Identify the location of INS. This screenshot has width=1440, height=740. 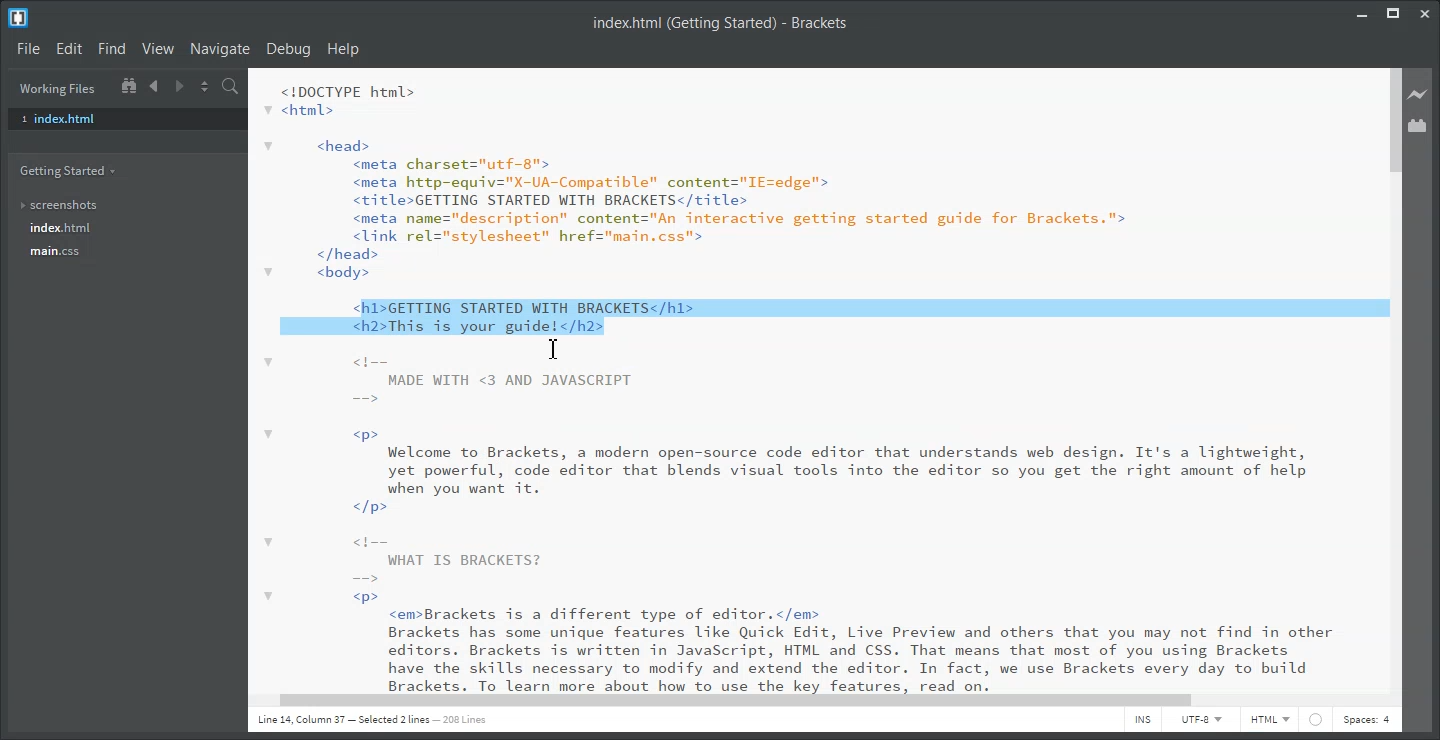
(1143, 721).